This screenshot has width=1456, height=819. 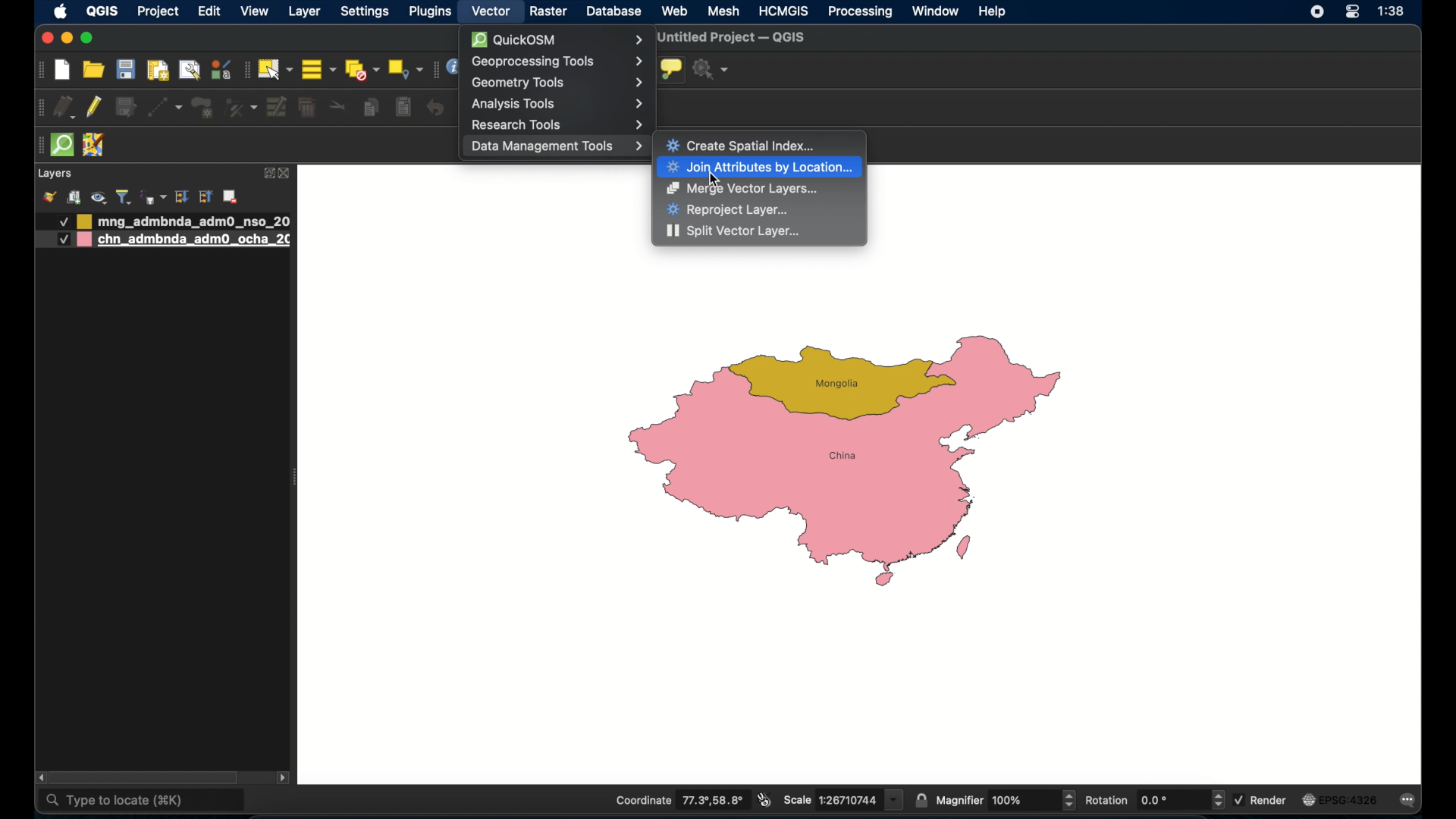 What do you see at coordinates (102, 11) in the screenshot?
I see `QGIS` at bounding box center [102, 11].